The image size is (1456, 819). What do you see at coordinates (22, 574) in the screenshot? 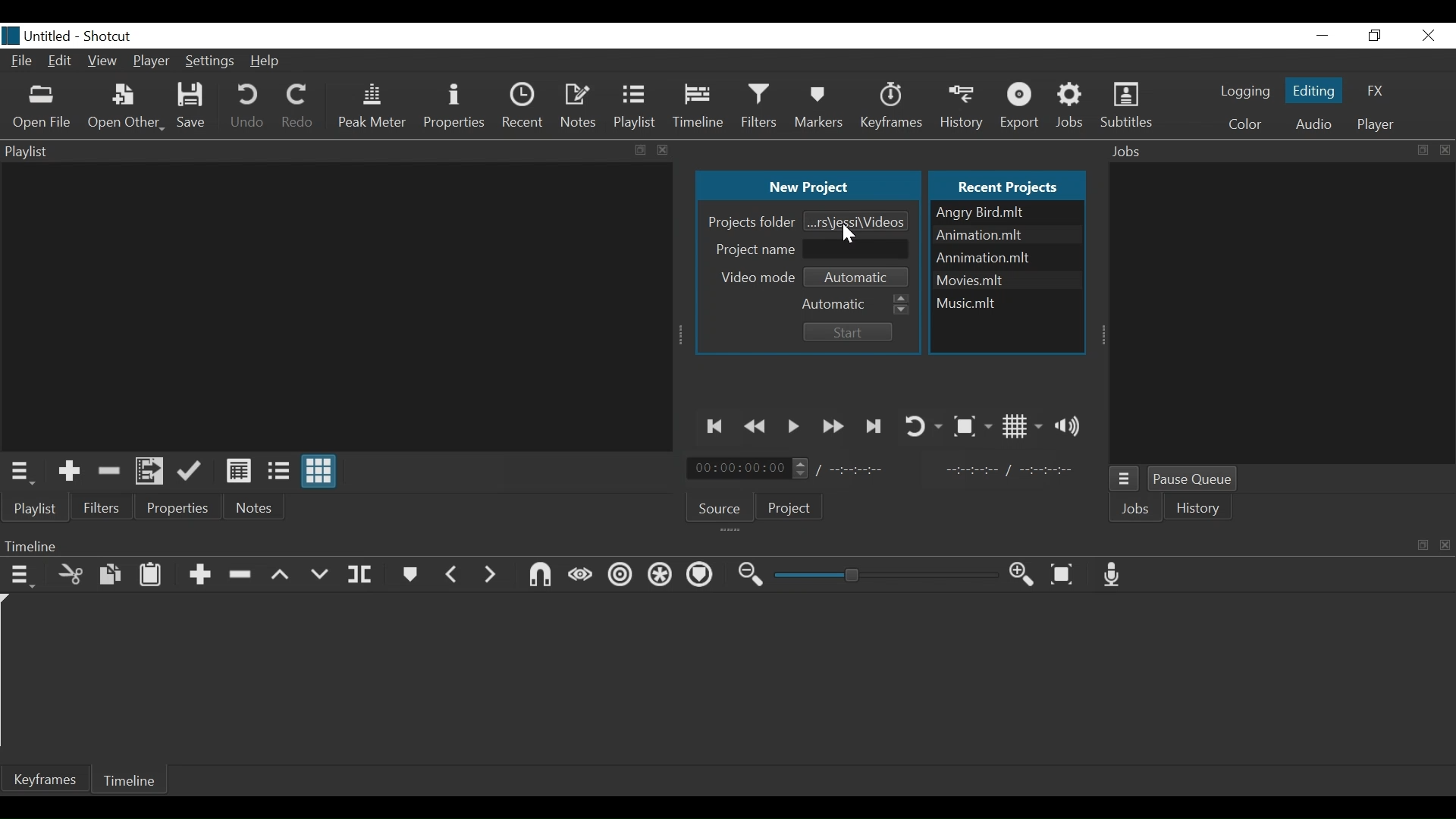
I see `Timeline Menu` at bounding box center [22, 574].